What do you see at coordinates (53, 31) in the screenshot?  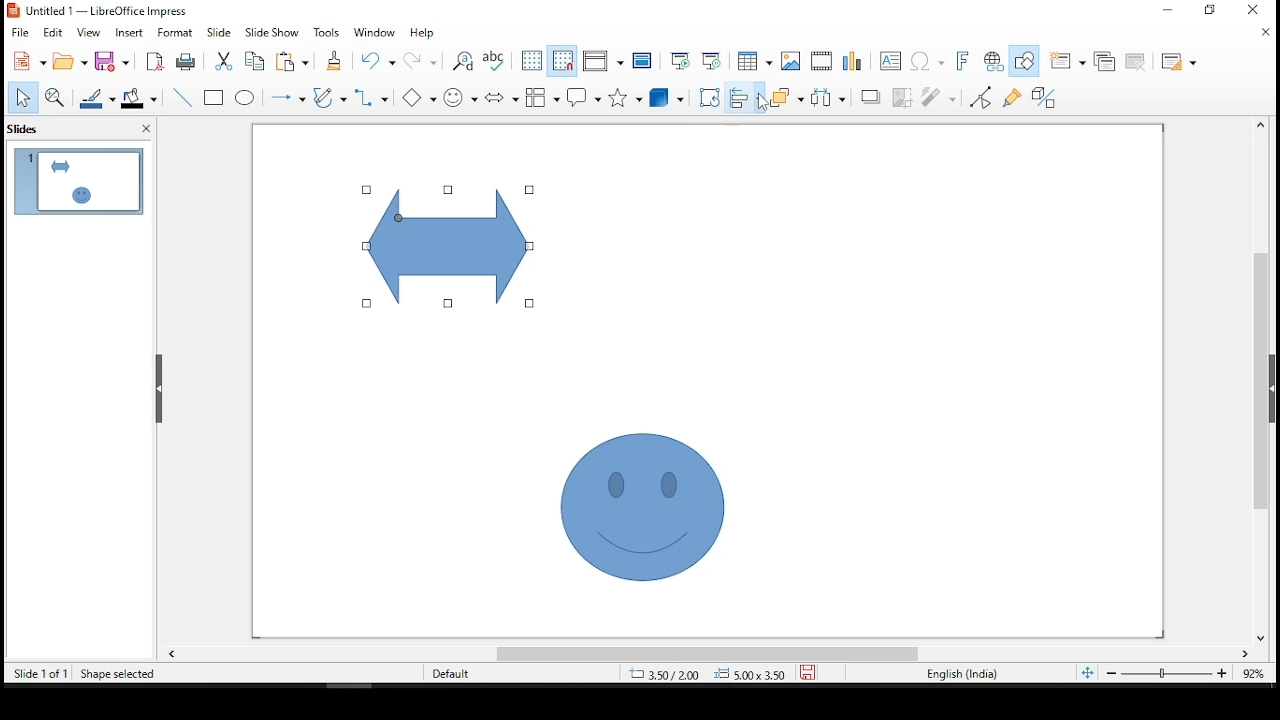 I see `edit` at bounding box center [53, 31].